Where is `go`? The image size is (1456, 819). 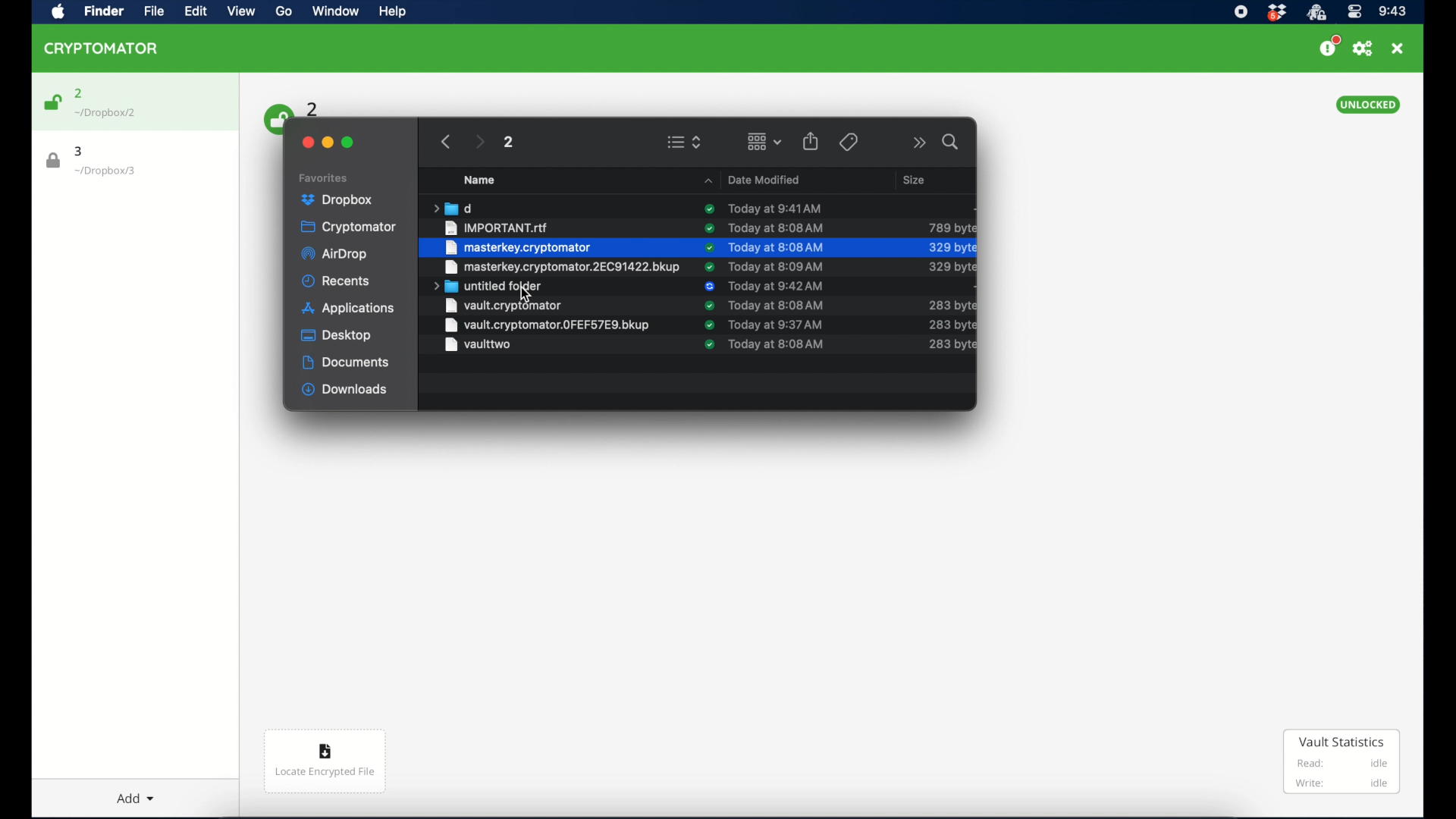
go is located at coordinates (282, 11).